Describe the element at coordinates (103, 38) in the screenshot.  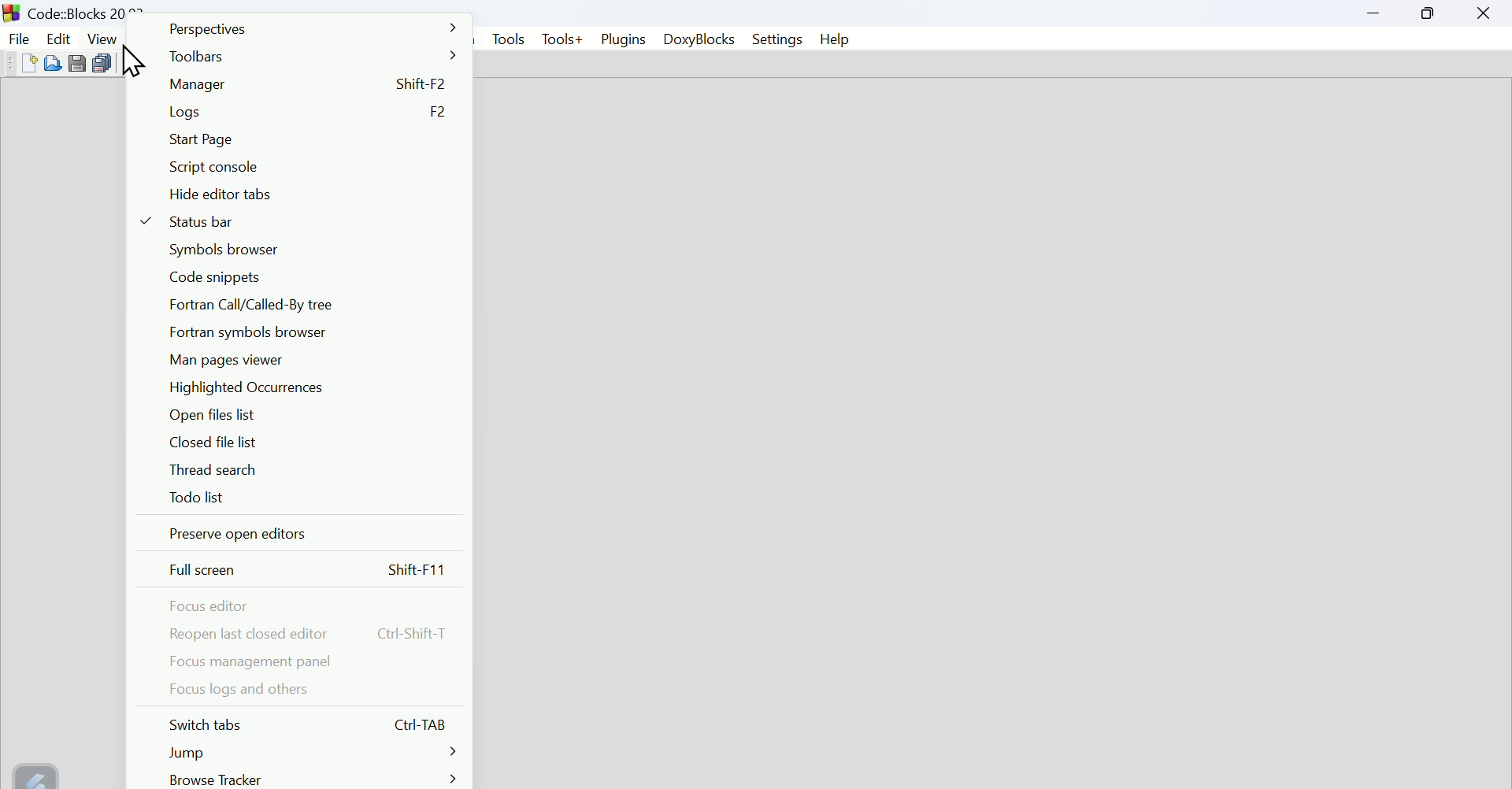
I see `View` at that location.